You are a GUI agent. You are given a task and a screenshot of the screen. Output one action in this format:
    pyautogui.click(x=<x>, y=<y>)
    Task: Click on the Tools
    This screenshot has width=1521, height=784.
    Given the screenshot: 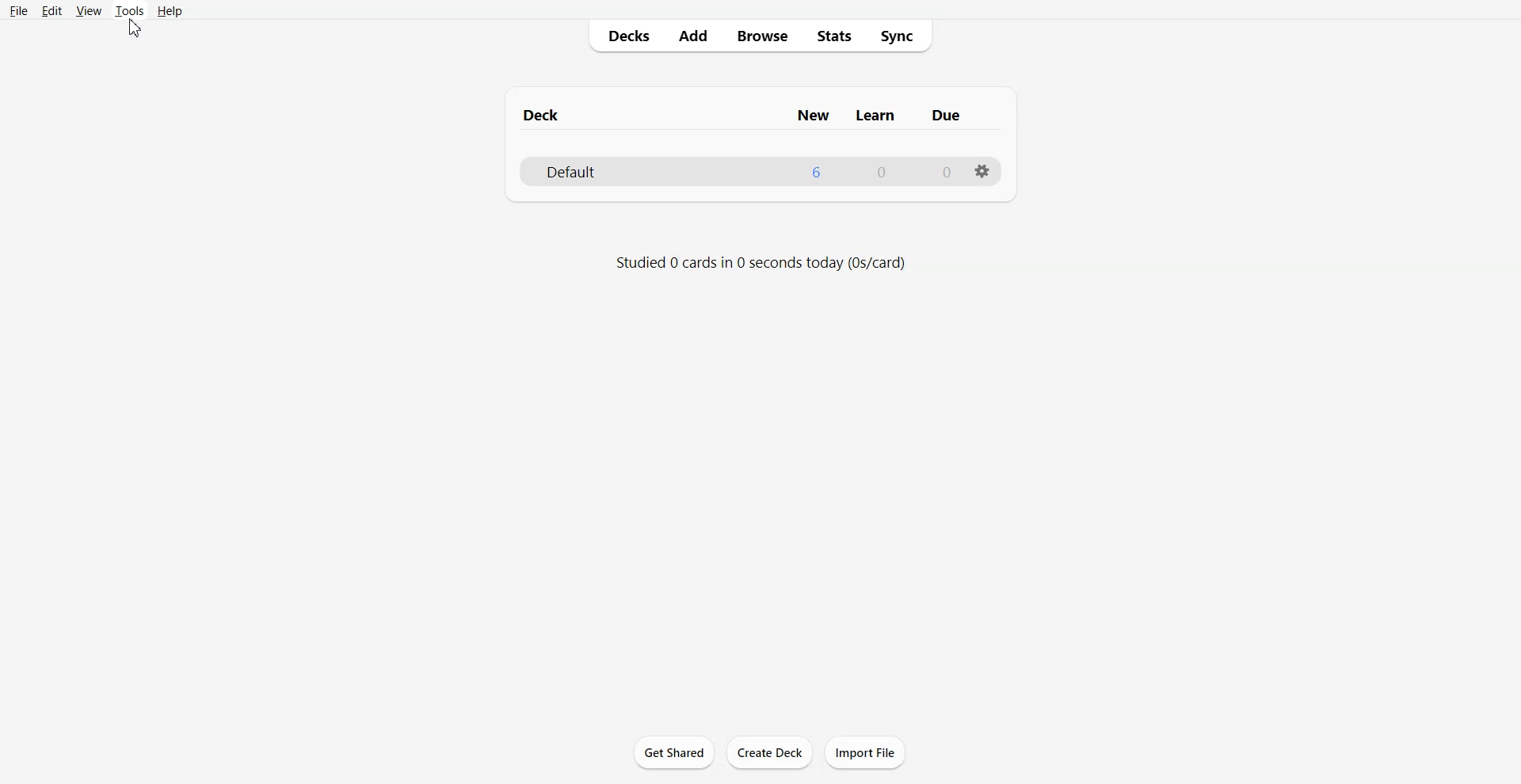 What is the action you would take?
    pyautogui.click(x=129, y=10)
    